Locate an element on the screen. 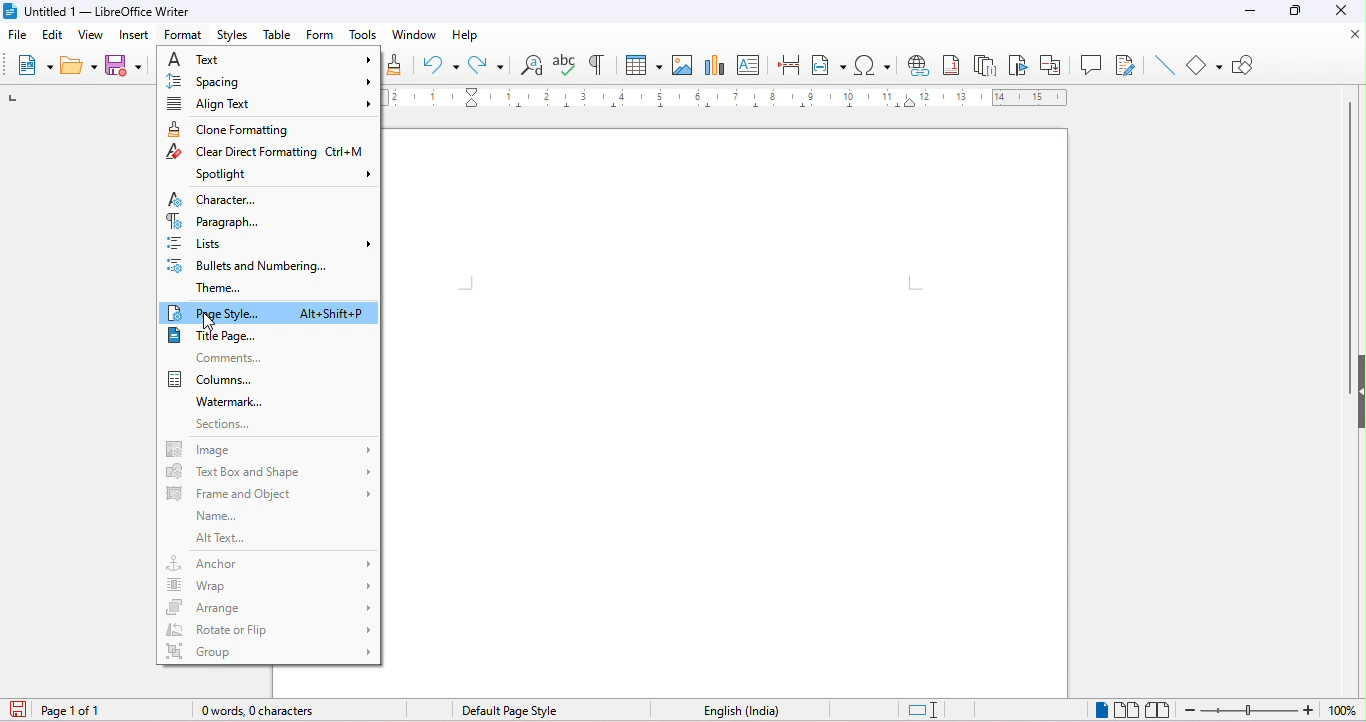 The image size is (1366, 722). help is located at coordinates (465, 35).